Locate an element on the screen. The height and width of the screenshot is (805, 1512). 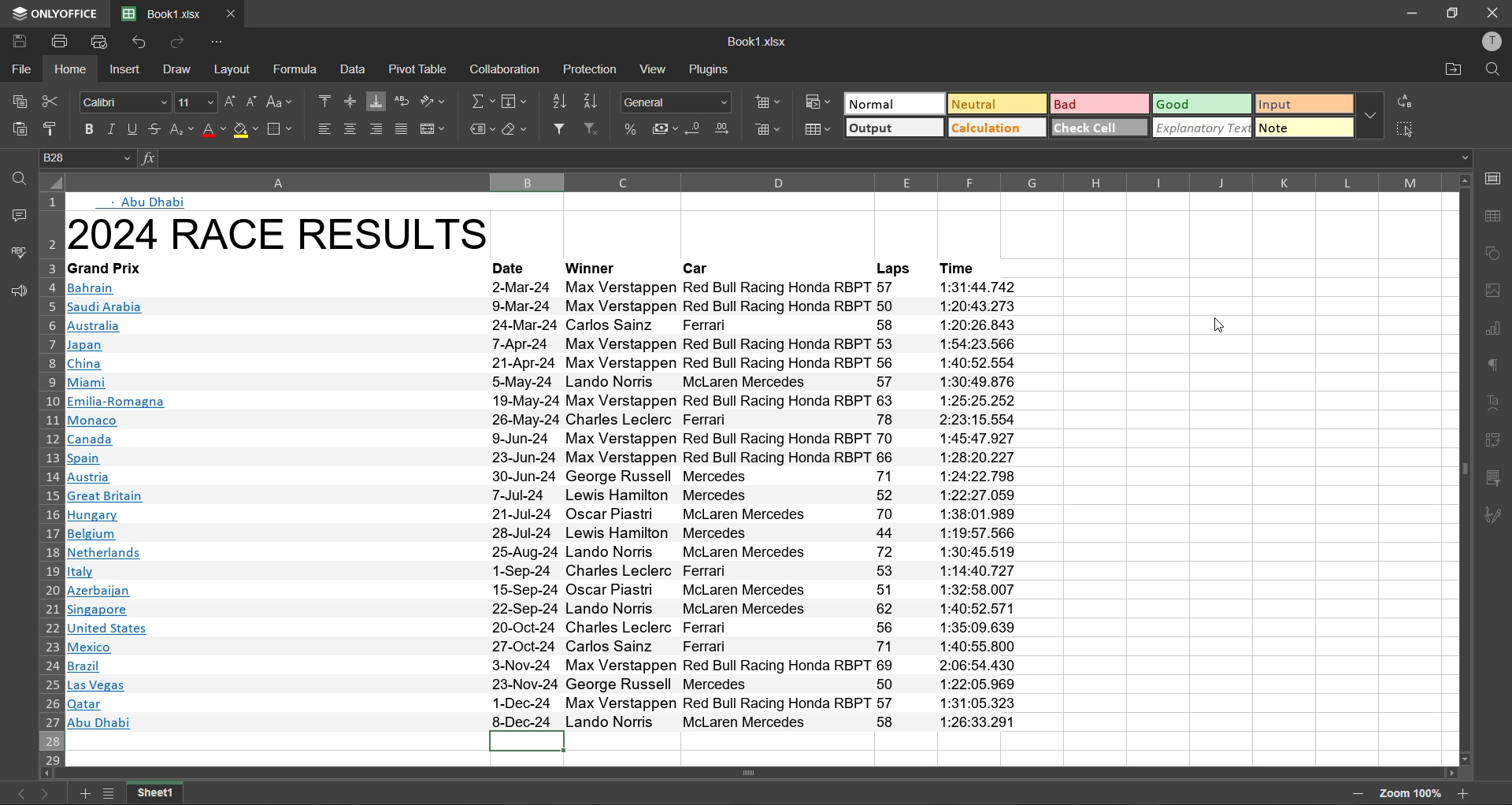
delete cells is located at coordinates (771, 129).